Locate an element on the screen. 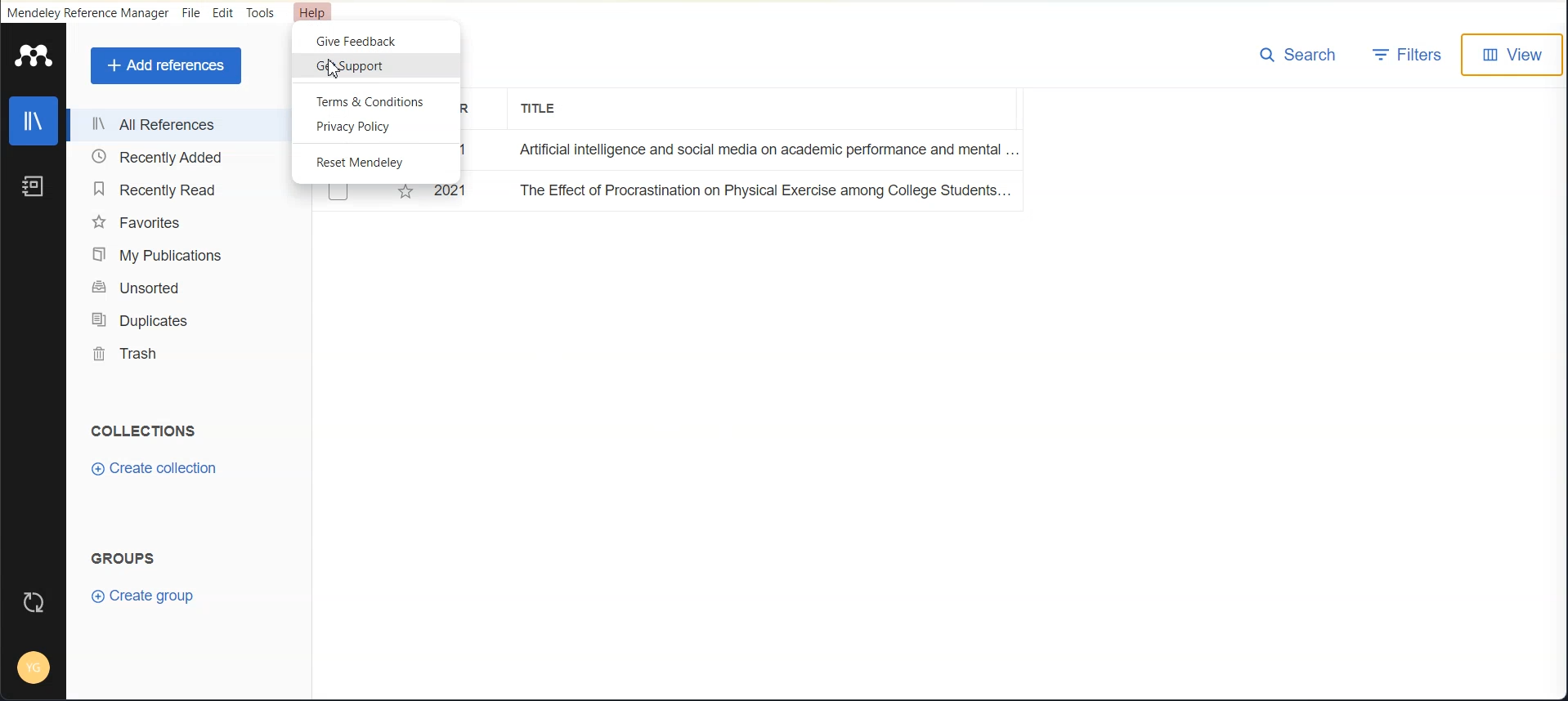 Image resolution: width=1568 pixels, height=701 pixels. Year is located at coordinates (469, 109).